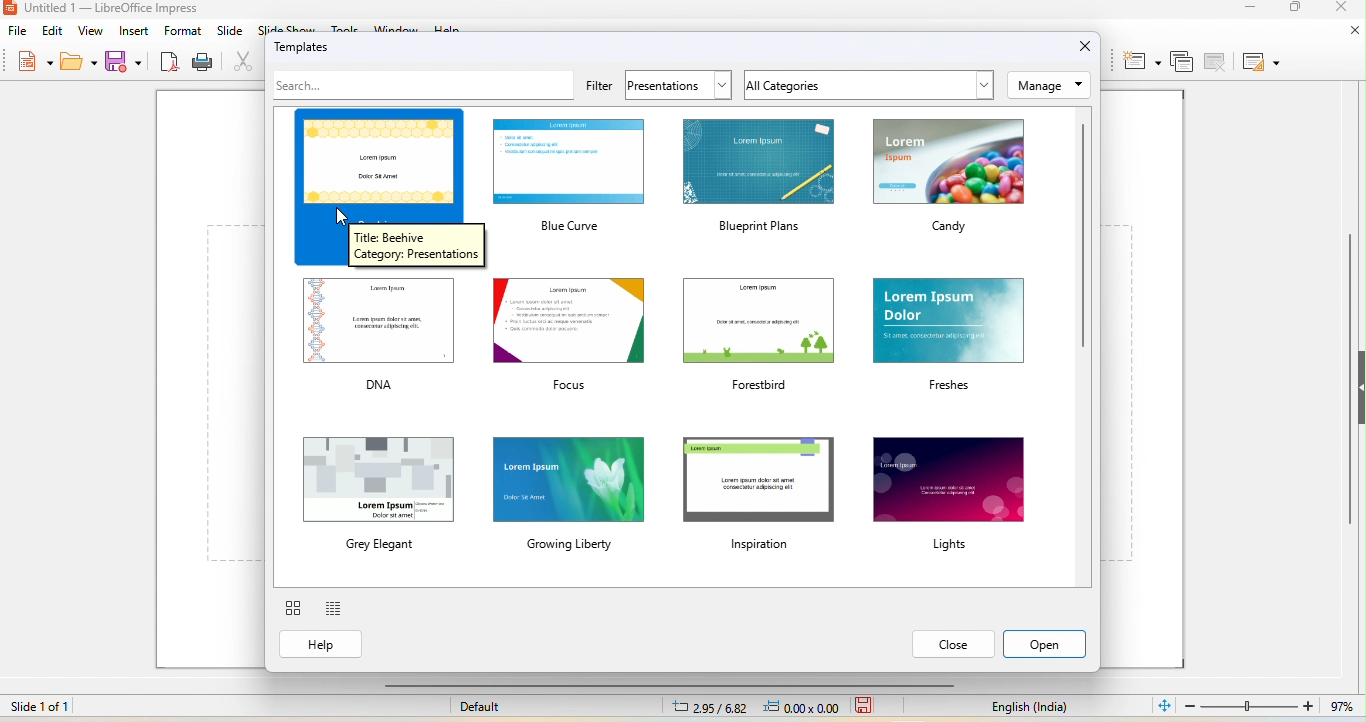 This screenshot has width=1366, height=722. I want to click on help, so click(452, 28).